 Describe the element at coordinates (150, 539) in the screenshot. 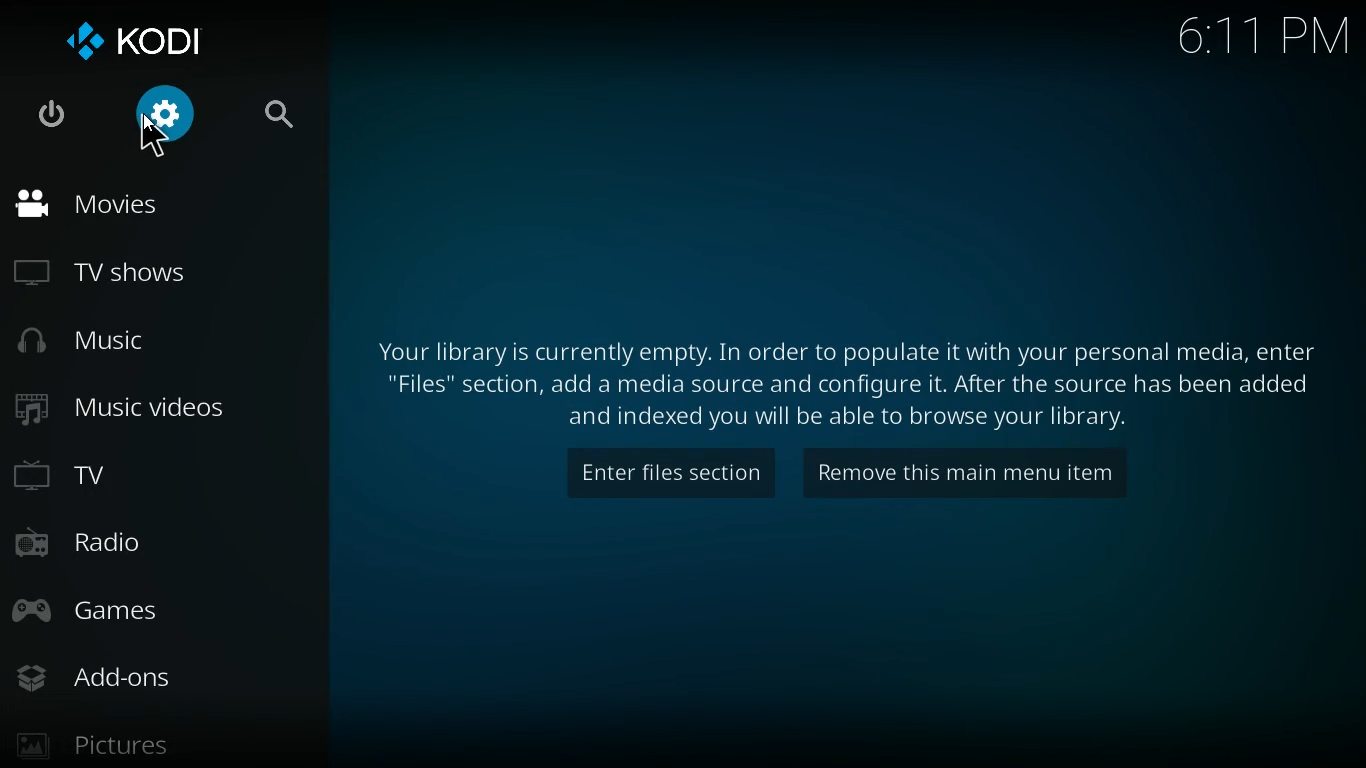

I see `radio` at that location.